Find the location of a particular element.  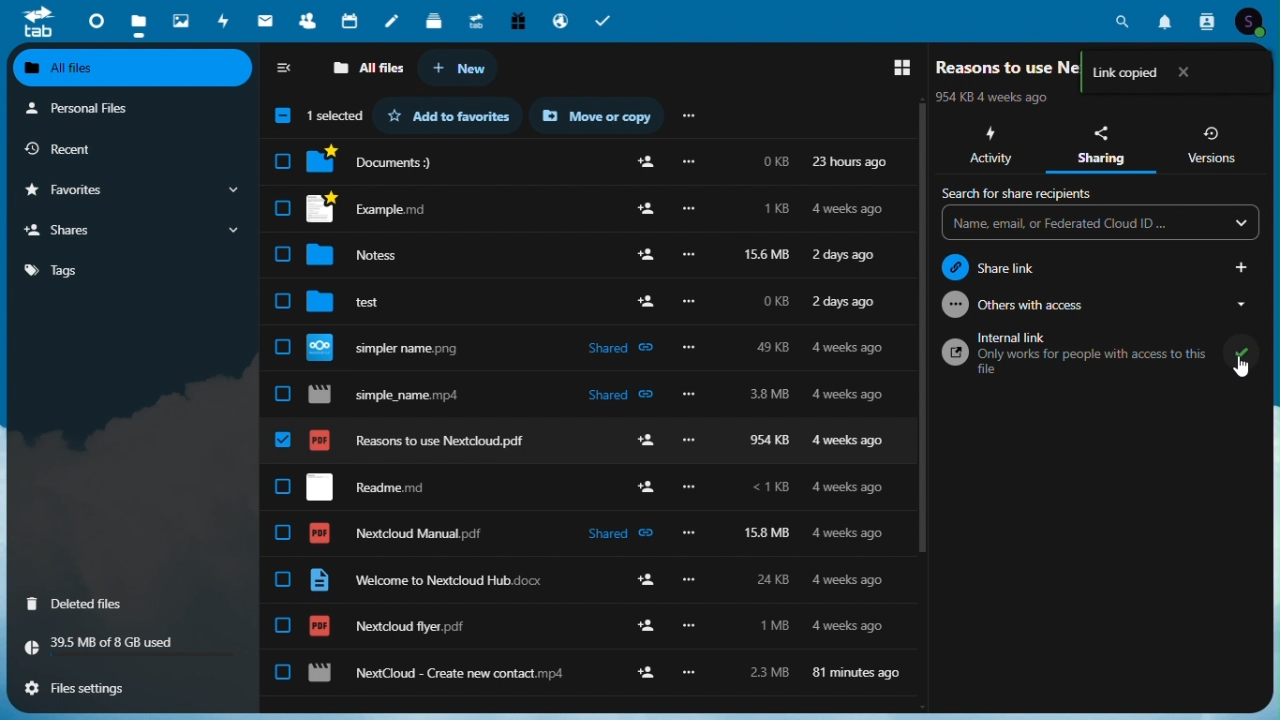

0kb is located at coordinates (773, 163).